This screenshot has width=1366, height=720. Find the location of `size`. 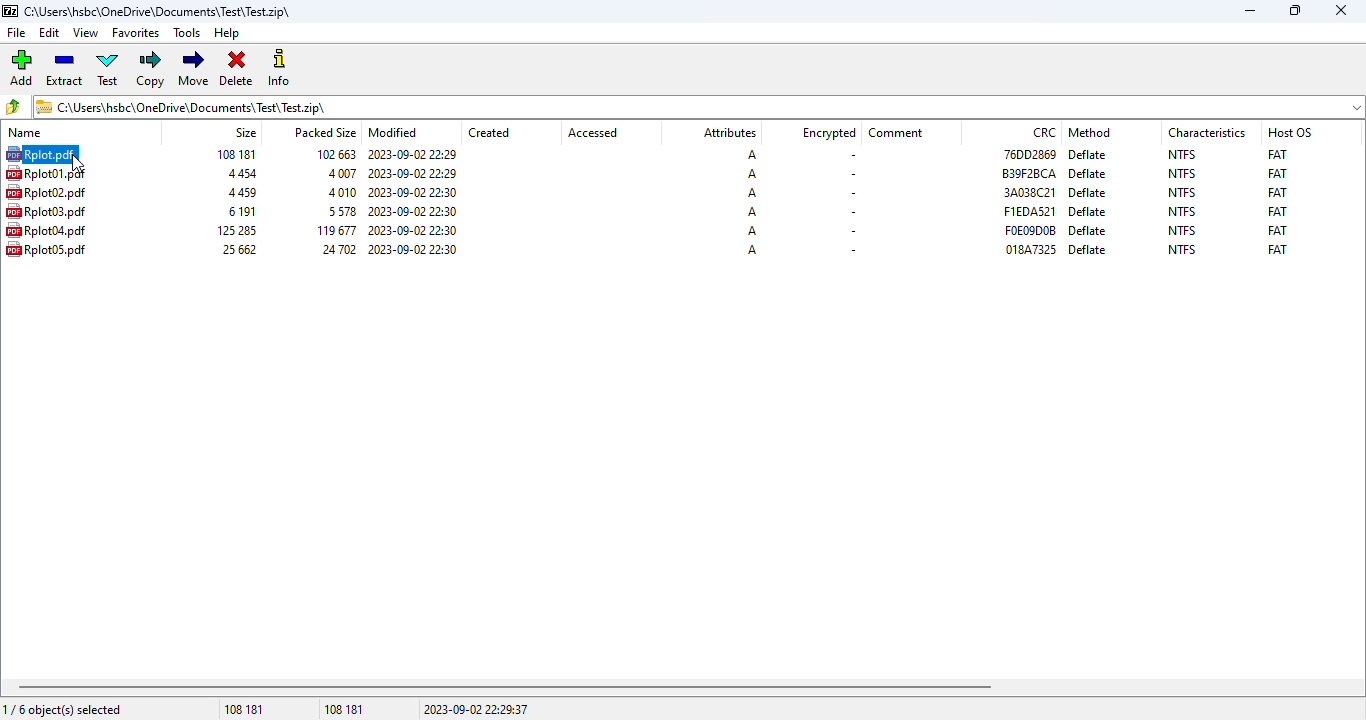

size is located at coordinates (235, 154).